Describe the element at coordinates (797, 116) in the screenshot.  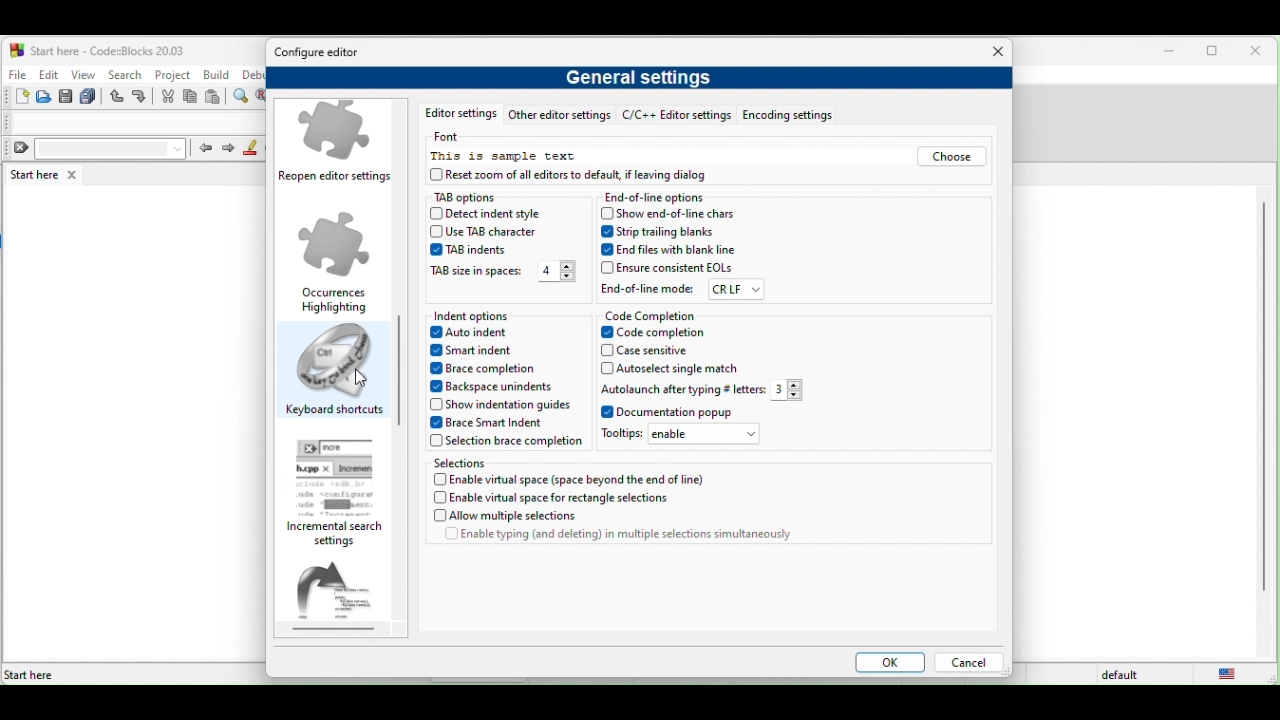
I see `encoding settings` at that location.